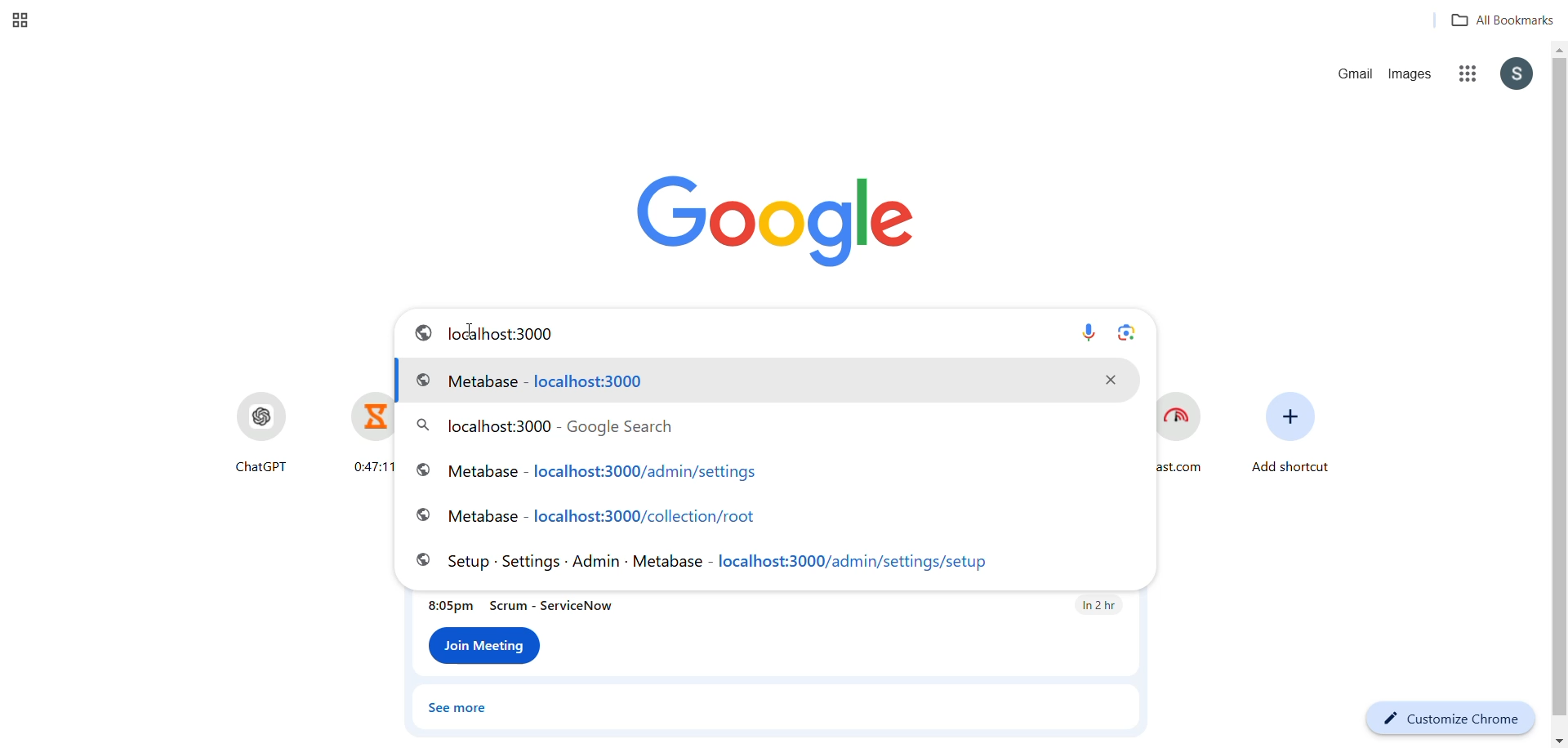 This screenshot has width=1568, height=748. What do you see at coordinates (1495, 21) in the screenshot?
I see `all bookmarks` at bounding box center [1495, 21].